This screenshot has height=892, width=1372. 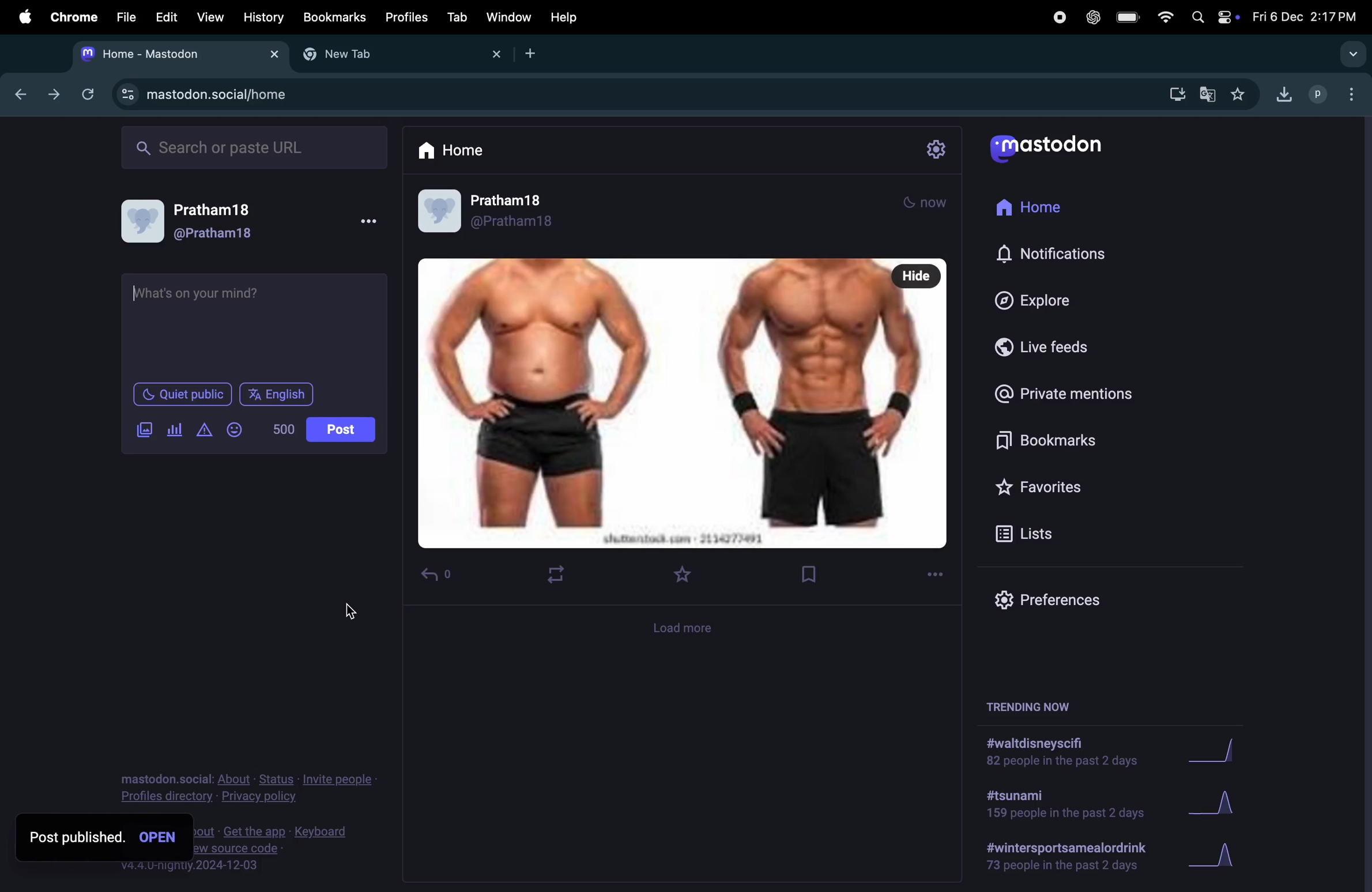 What do you see at coordinates (557, 575) in the screenshot?
I see `boost` at bounding box center [557, 575].